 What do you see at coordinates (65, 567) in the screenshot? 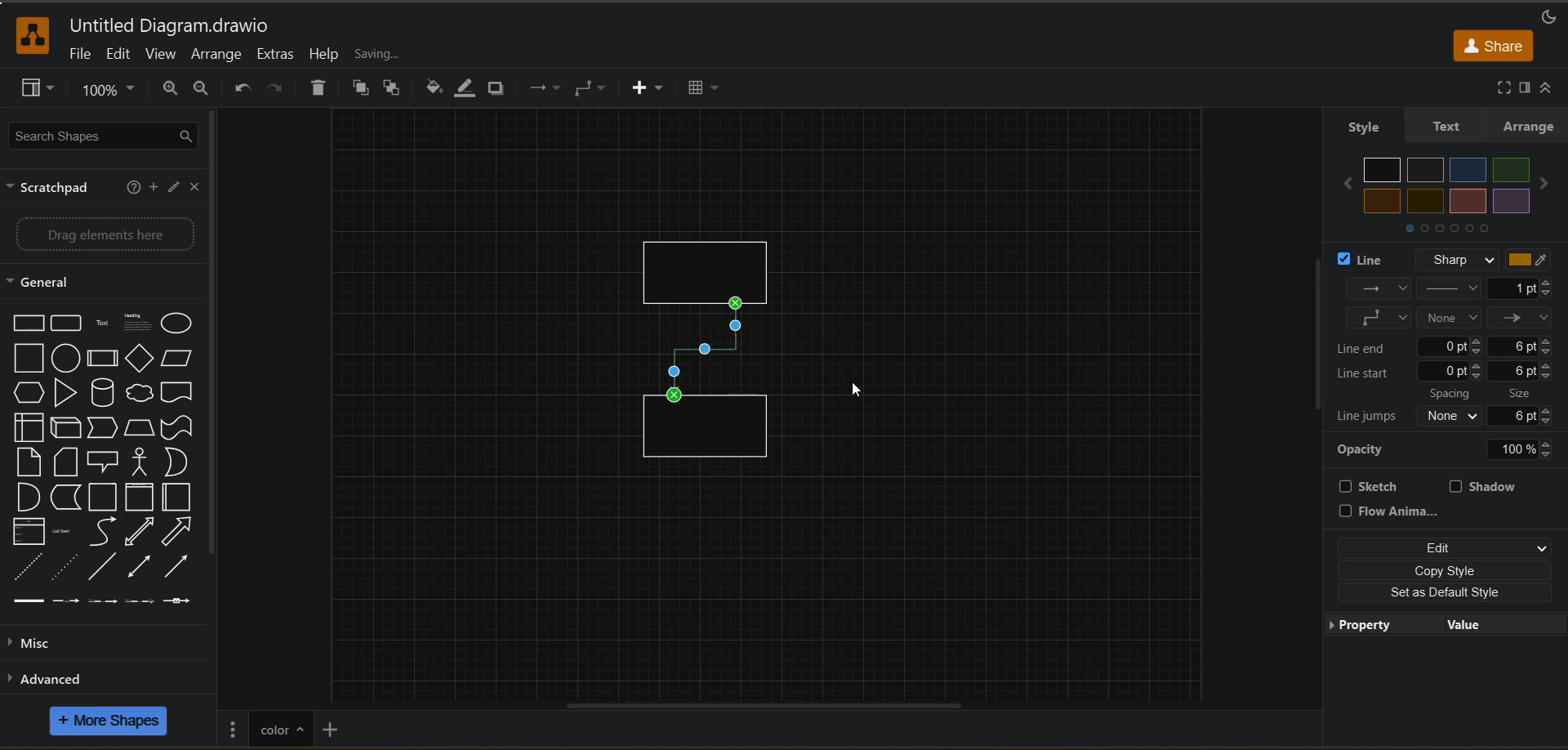
I see `Dotted line` at bounding box center [65, 567].